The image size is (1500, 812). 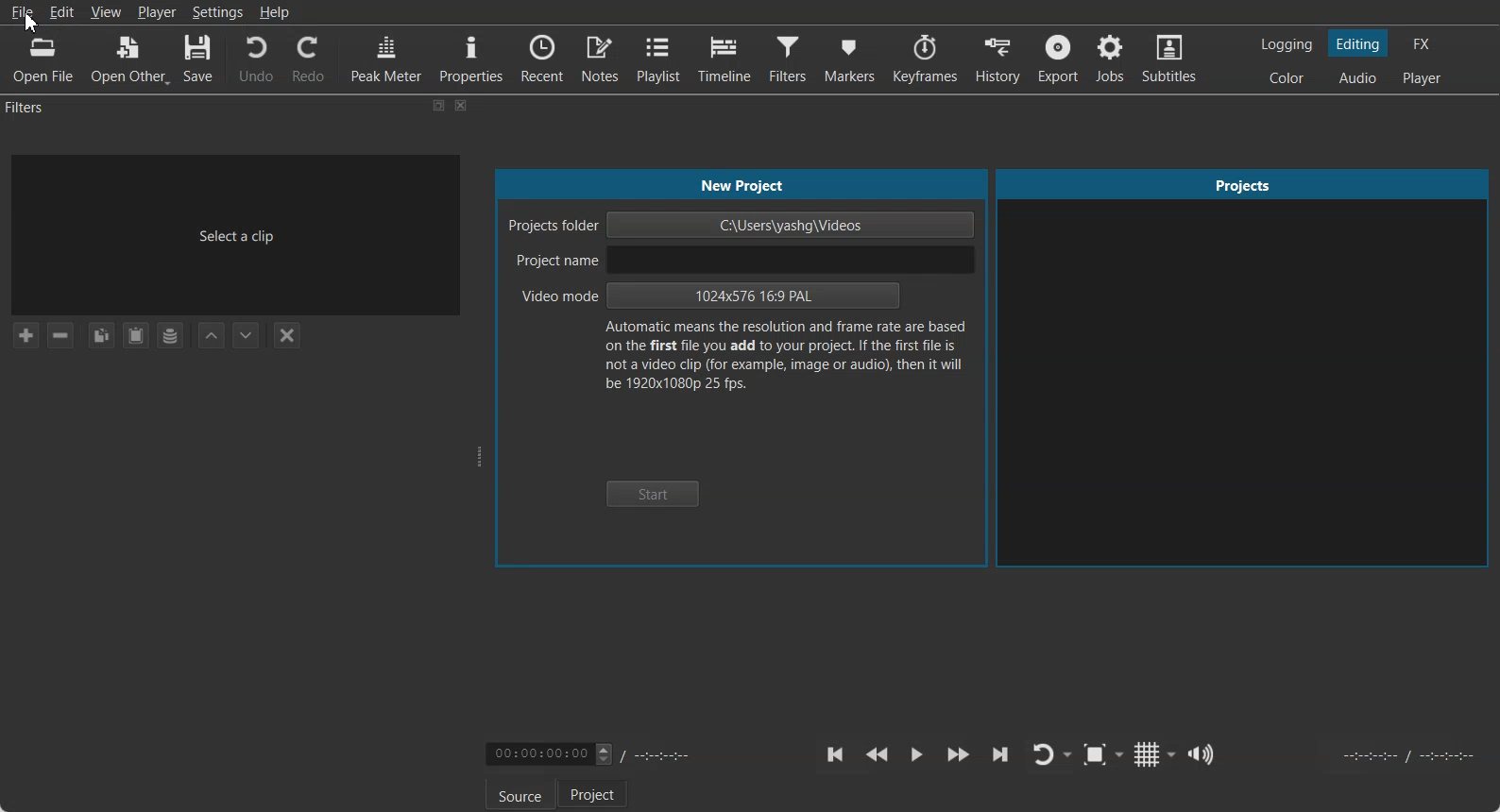 What do you see at coordinates (542, 56) in the screenshot?
I see `Recent` at bounding box center [542, 56].